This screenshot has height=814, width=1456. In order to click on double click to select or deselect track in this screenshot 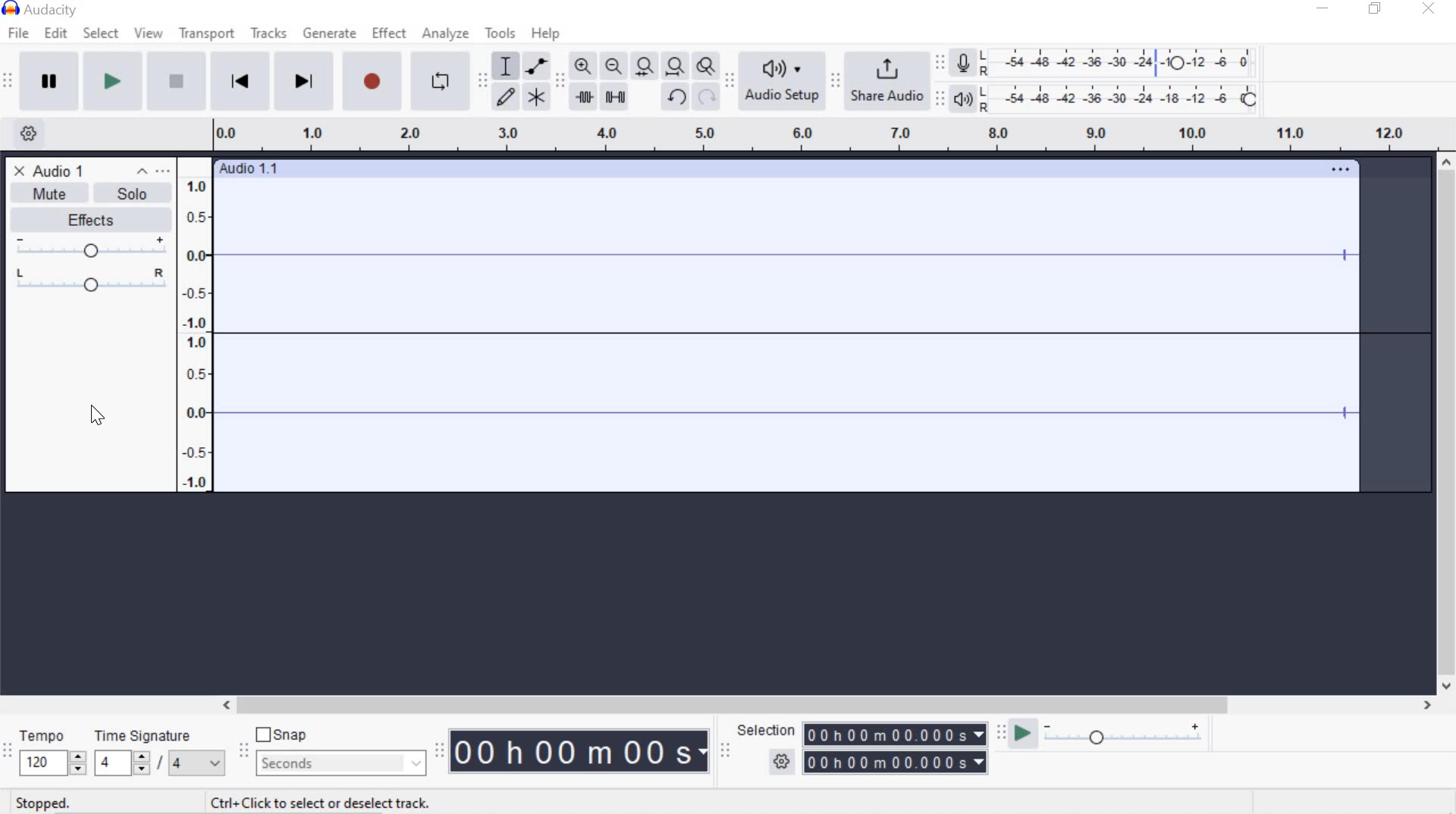, I will do `click(320, 801)`.